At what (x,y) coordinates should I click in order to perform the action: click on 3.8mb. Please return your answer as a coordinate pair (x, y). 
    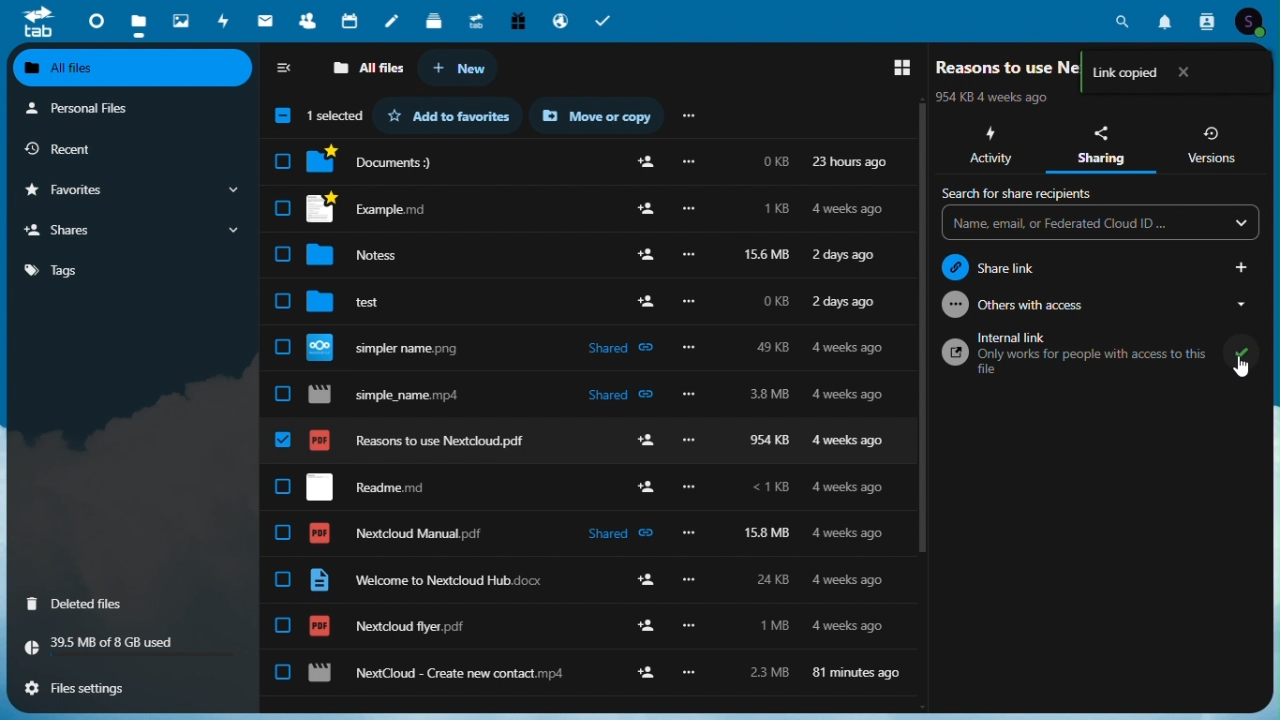
    Looking at the image, I should click on (773, 394).